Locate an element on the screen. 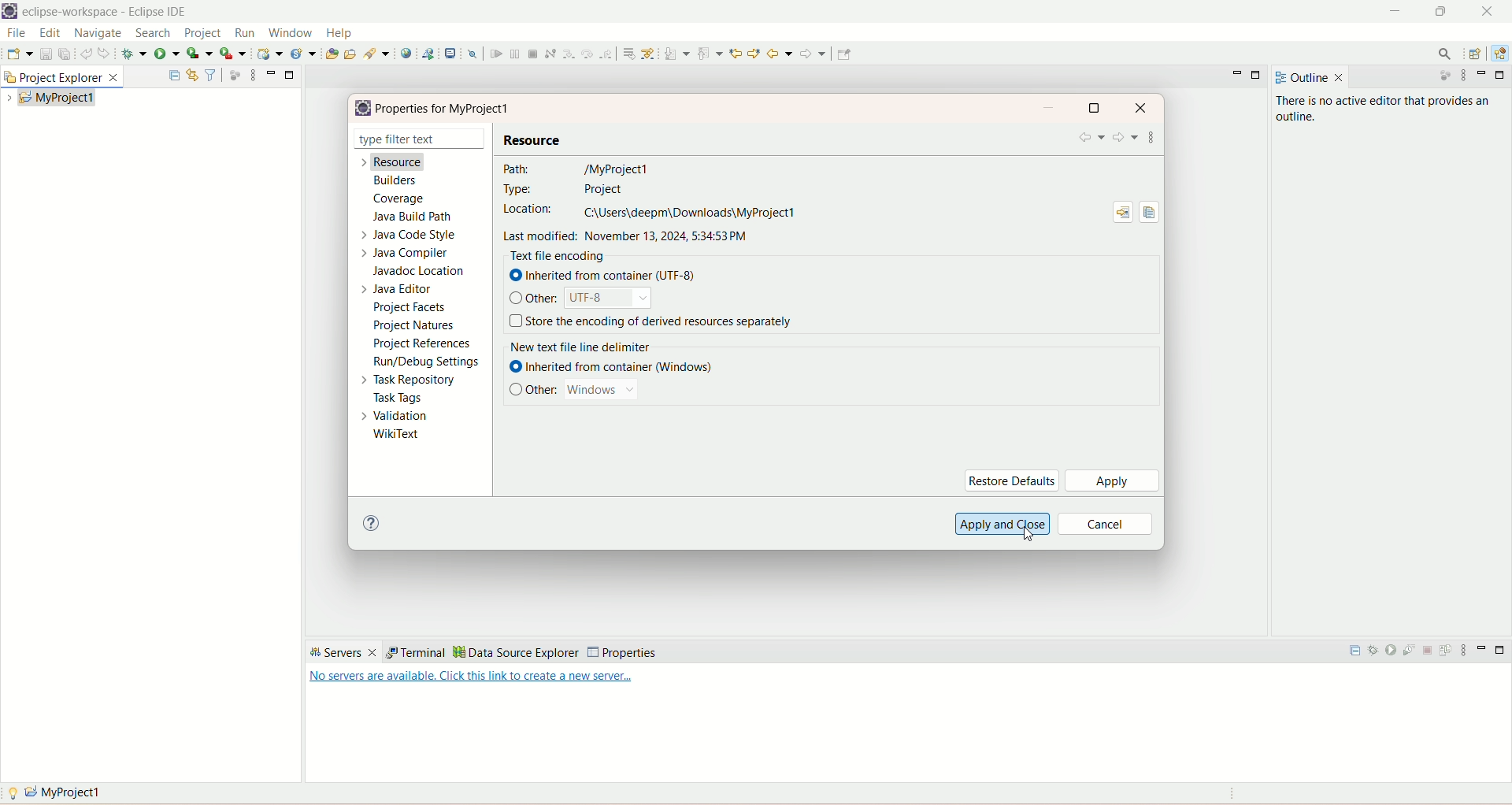  navigate is located at coordinates (98, 34).